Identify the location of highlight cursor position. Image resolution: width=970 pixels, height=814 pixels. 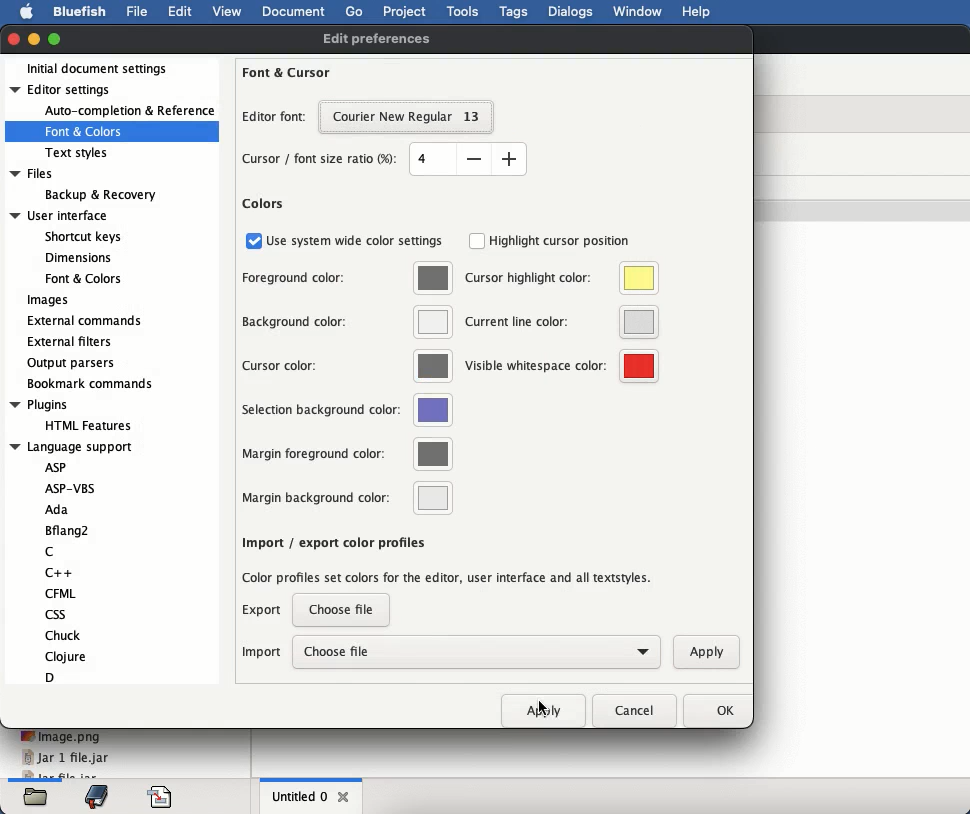
(550, 241).